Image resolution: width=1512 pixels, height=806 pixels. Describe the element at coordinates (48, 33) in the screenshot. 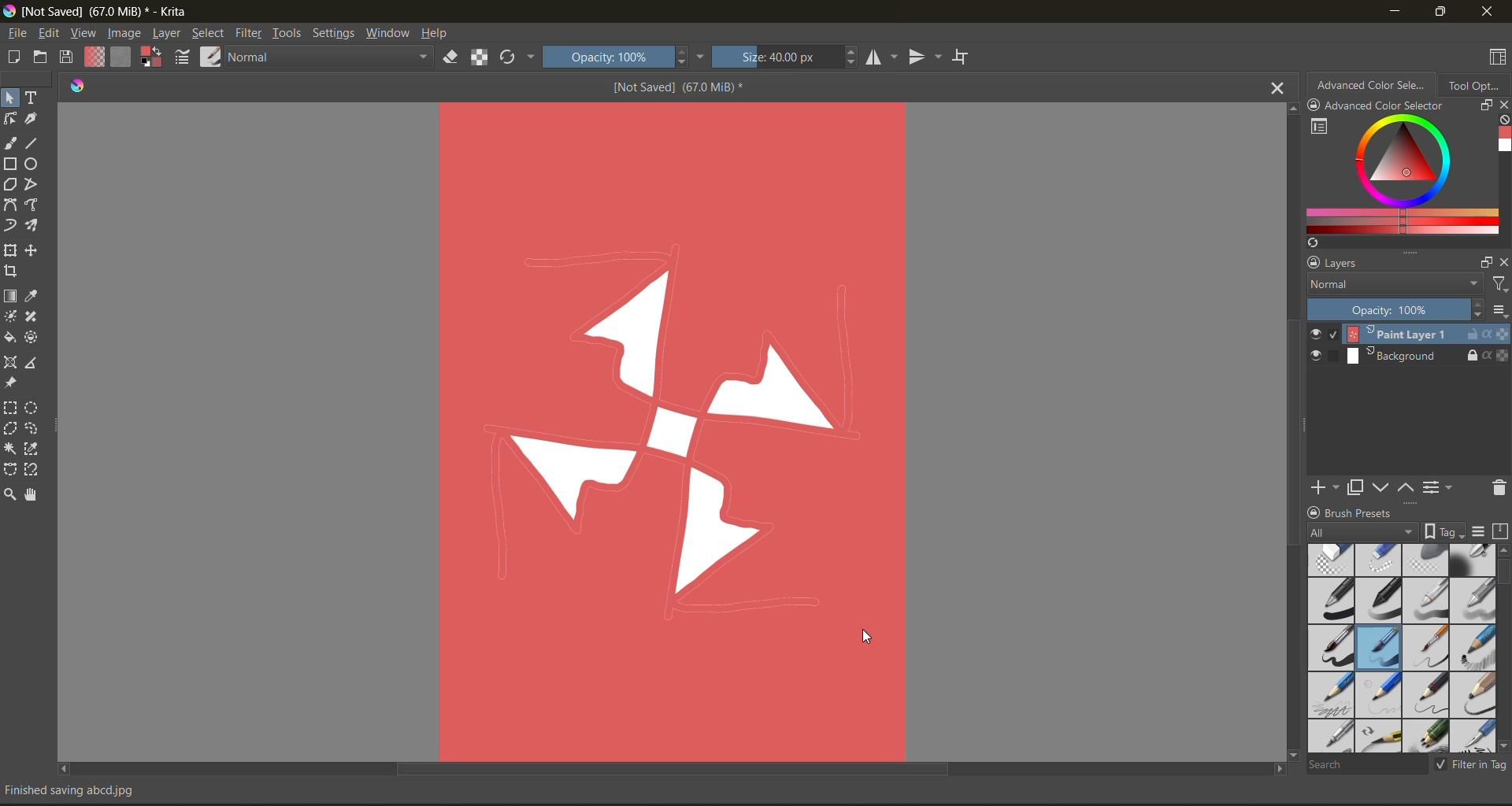

I see `edit` at that location.